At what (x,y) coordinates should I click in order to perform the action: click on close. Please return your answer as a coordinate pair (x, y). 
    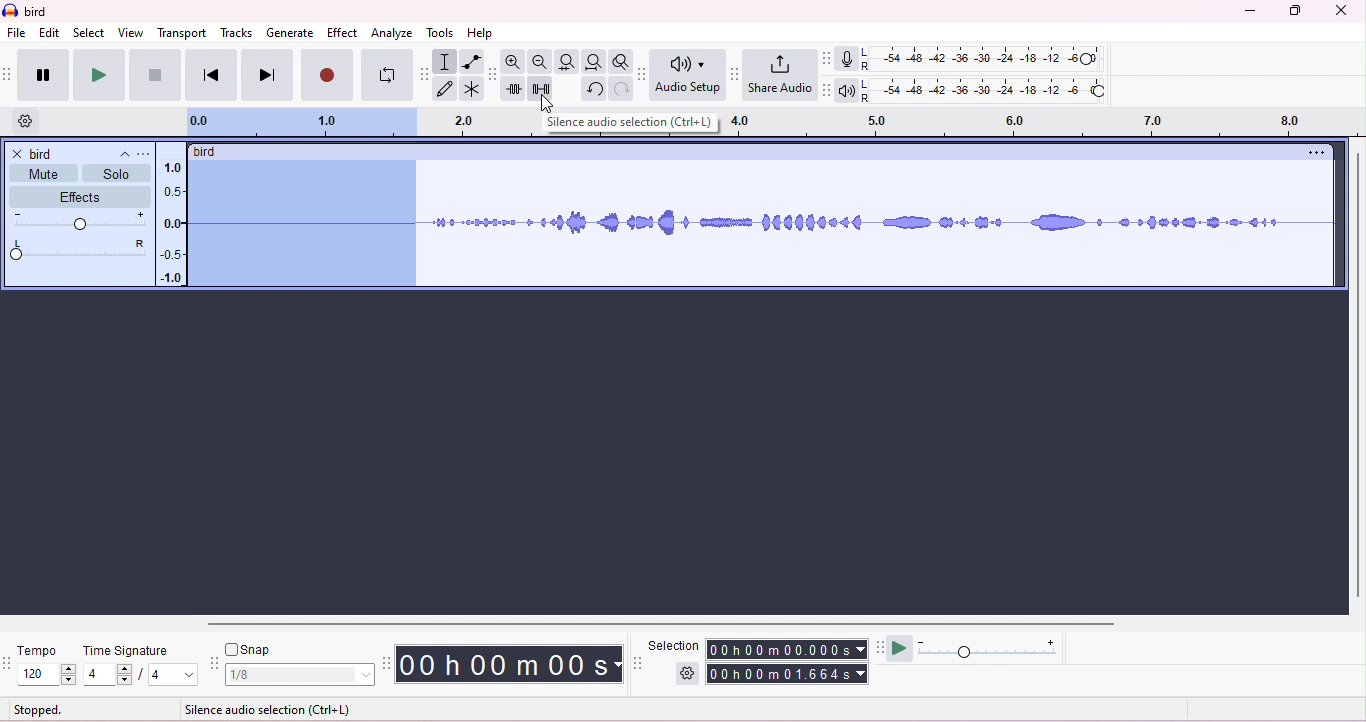
    Looking at the image, I should click on (1340, 10).